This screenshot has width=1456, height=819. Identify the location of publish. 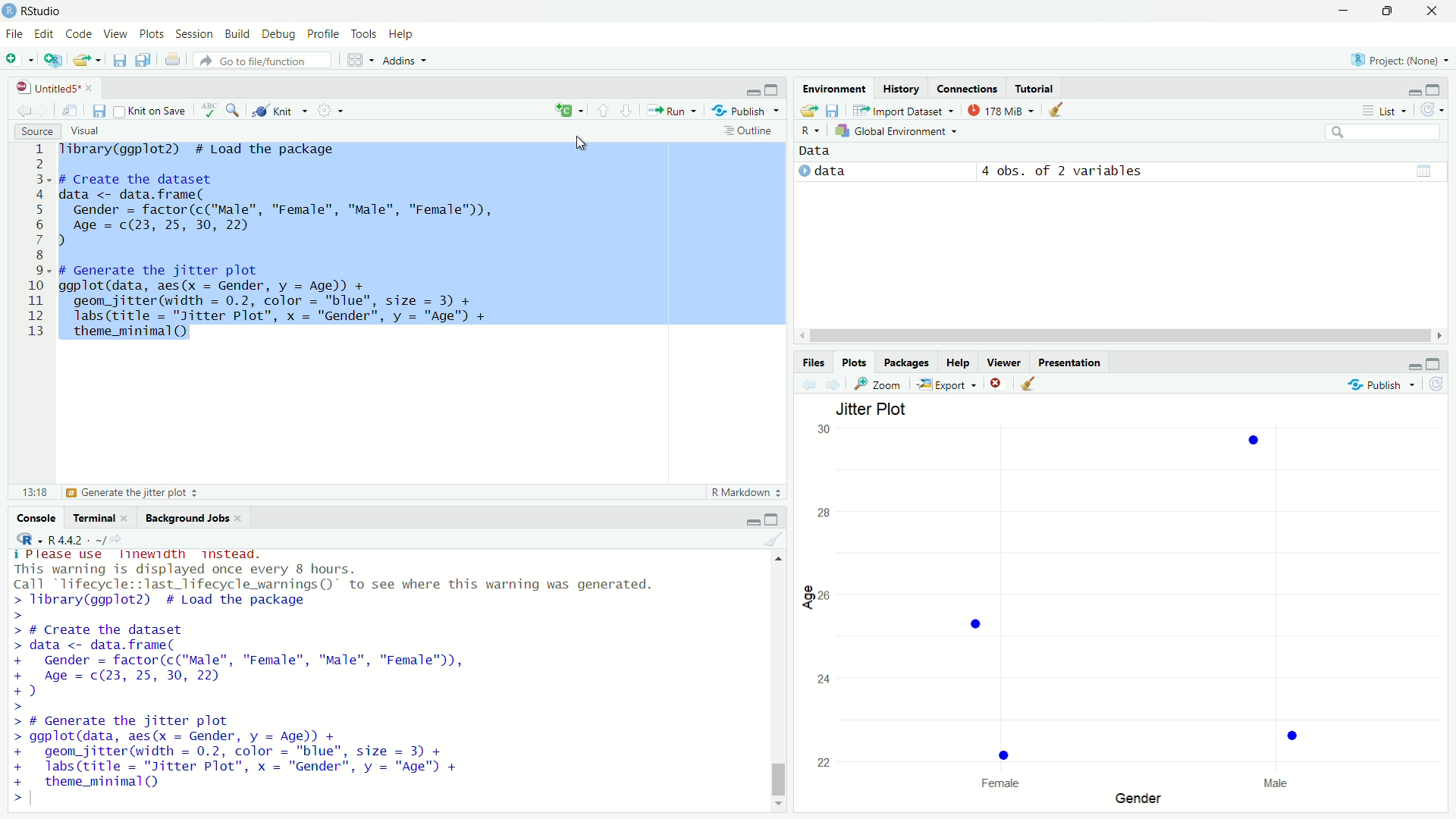
(1379, 385).